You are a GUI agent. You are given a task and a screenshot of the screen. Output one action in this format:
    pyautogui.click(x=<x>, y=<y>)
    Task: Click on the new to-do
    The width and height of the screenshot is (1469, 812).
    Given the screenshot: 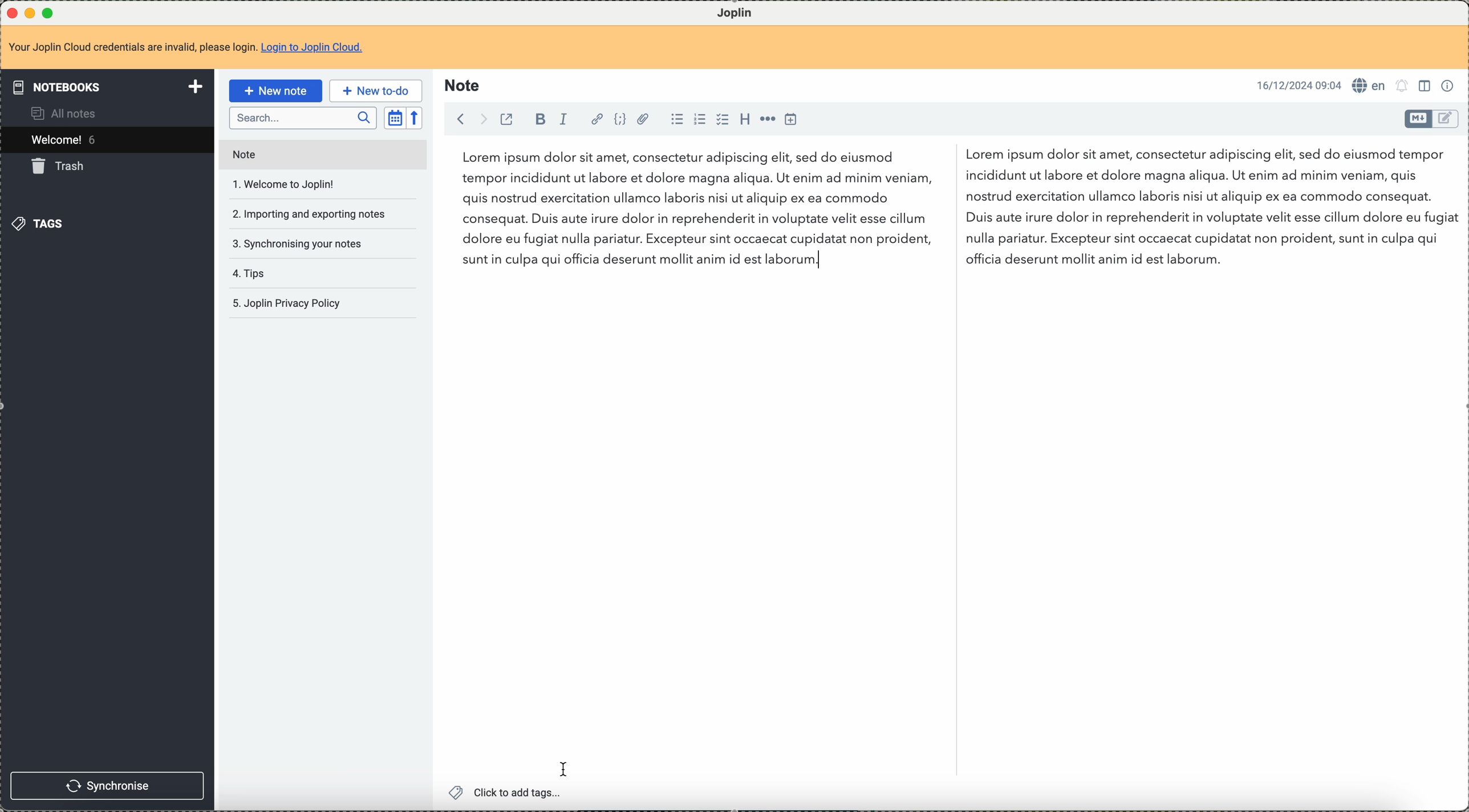 What is the action you would take?
    pyautogui.click(x=375, y=91)
    